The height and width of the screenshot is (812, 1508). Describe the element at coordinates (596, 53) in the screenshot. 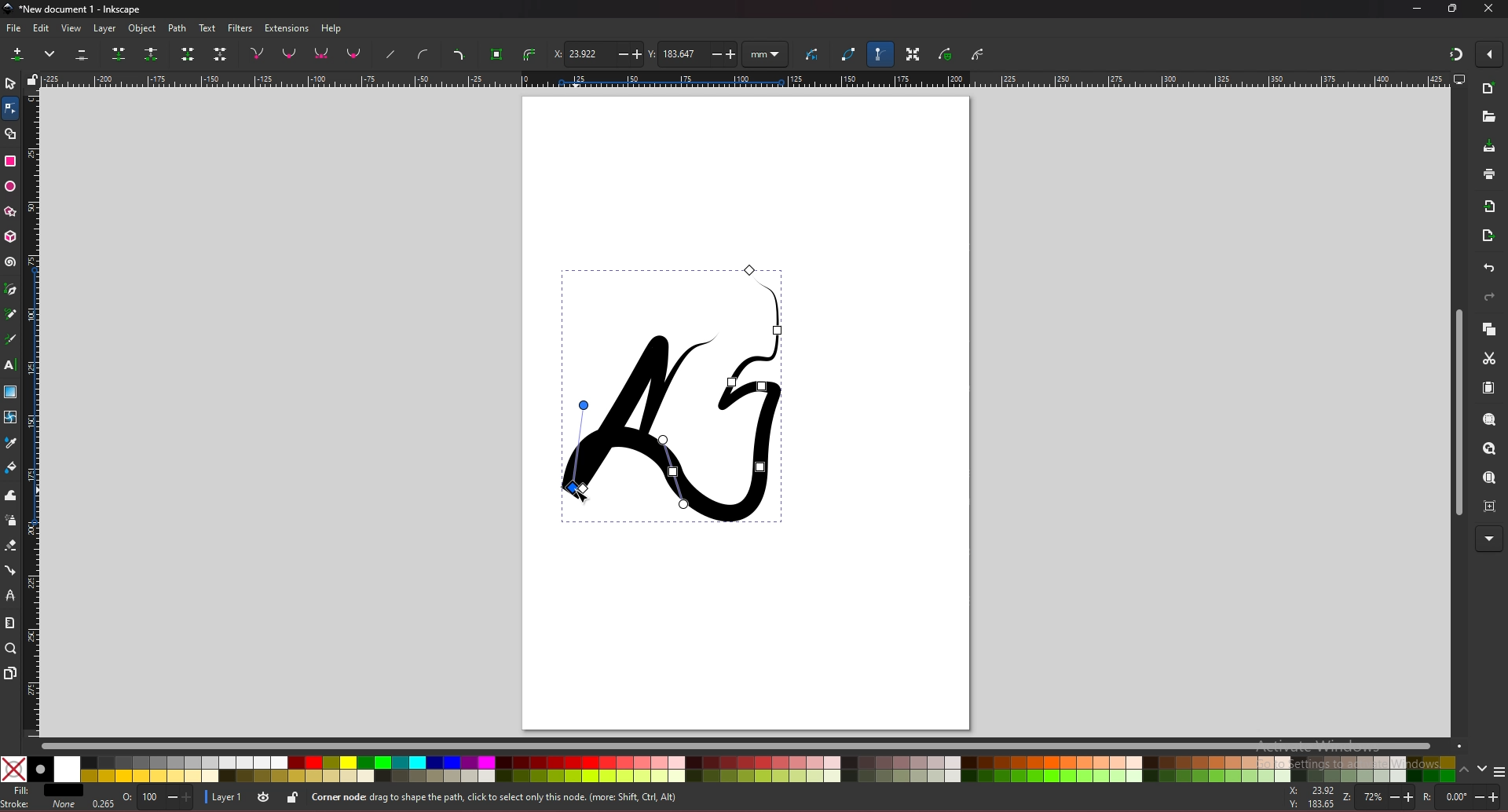

I see `x coordinate` at that location.